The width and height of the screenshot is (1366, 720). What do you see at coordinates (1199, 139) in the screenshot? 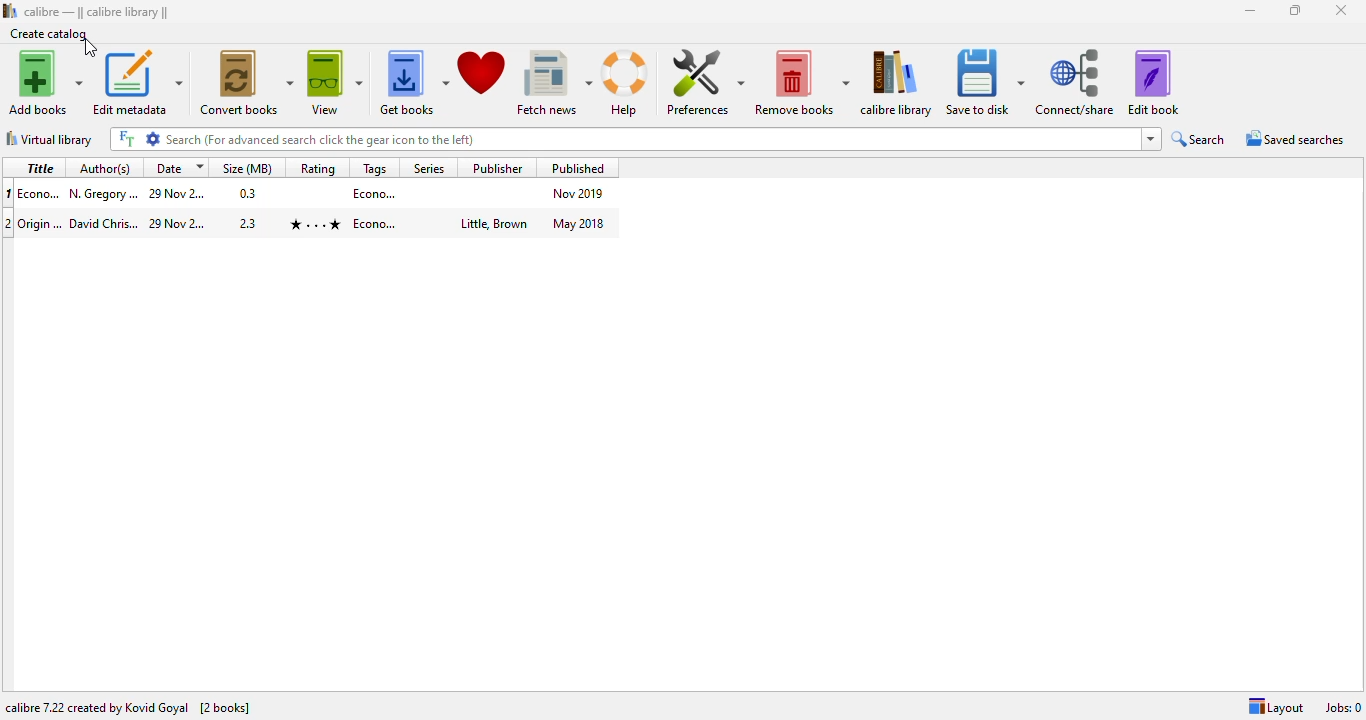
I see `search` at bounding box center [1199, 139].